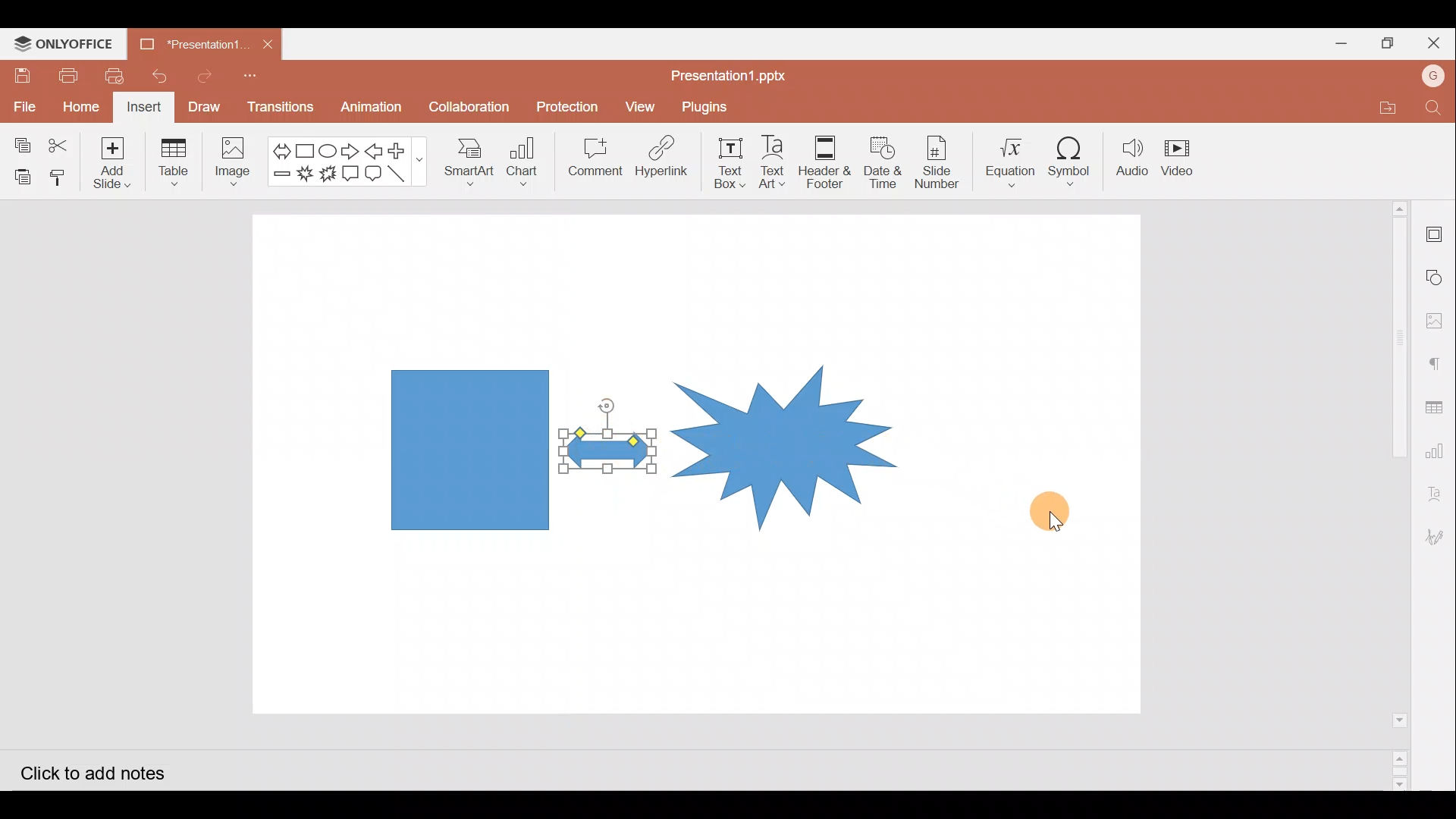 The height and width of the screenshot is (819, 1456). What do you see at coordinates (21, 75) in the screenshot?
I see `Save` at bounding box center [21, 75].